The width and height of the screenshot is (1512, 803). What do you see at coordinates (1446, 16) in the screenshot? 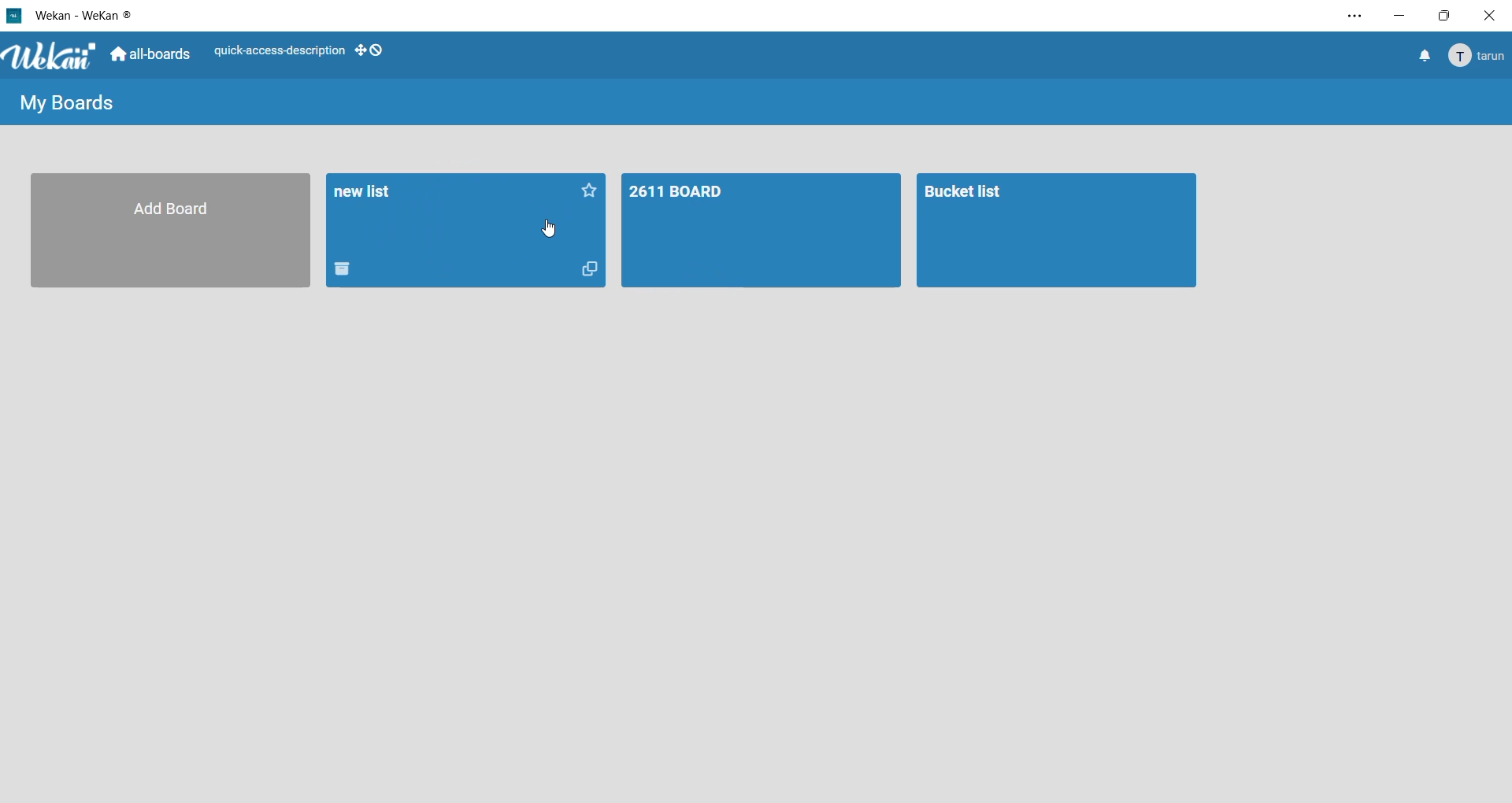
I see `maximize` at bounding box center [1446, 16].